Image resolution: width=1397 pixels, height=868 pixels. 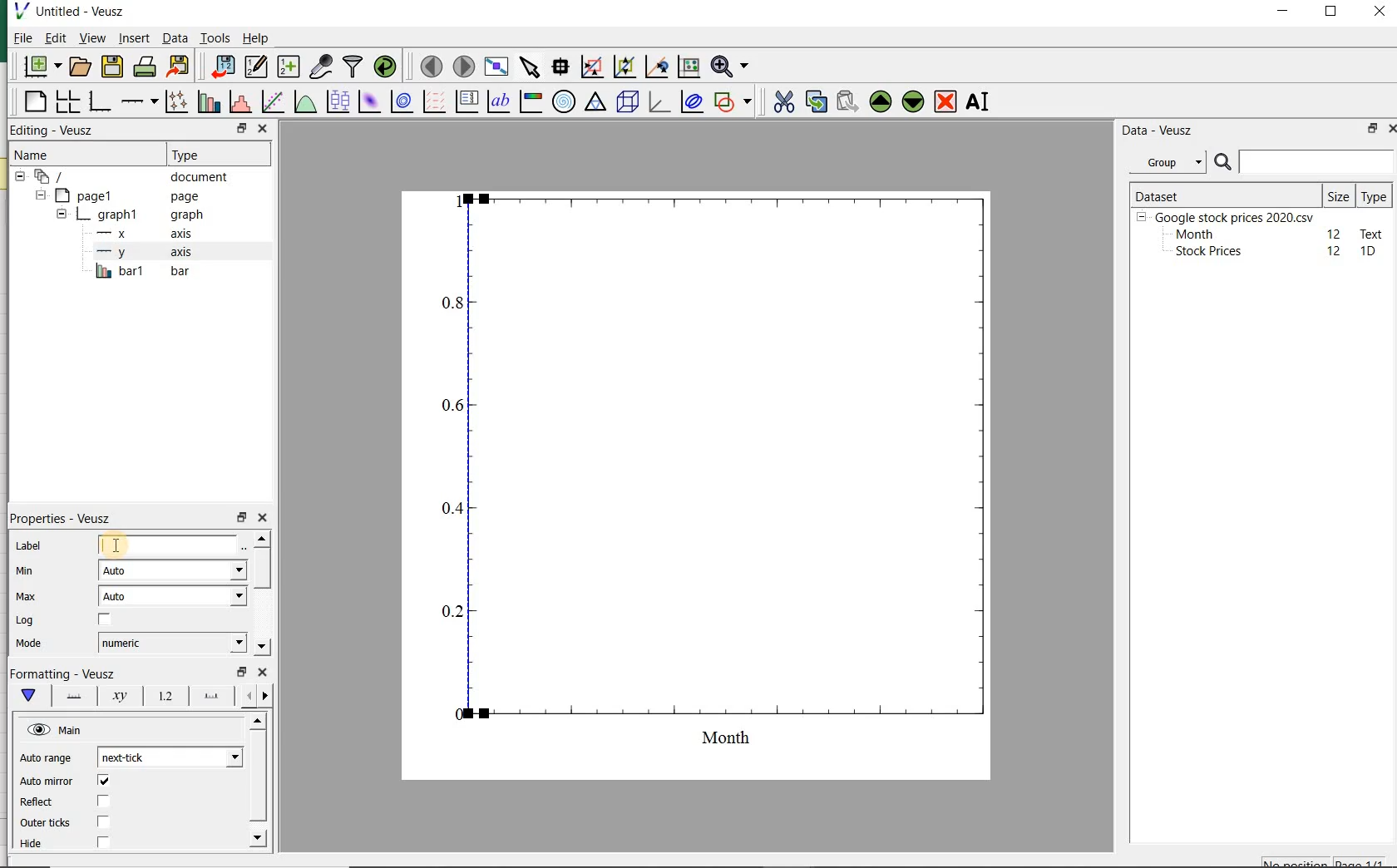 I want to click on 1D, so click(x=1370, y=252).